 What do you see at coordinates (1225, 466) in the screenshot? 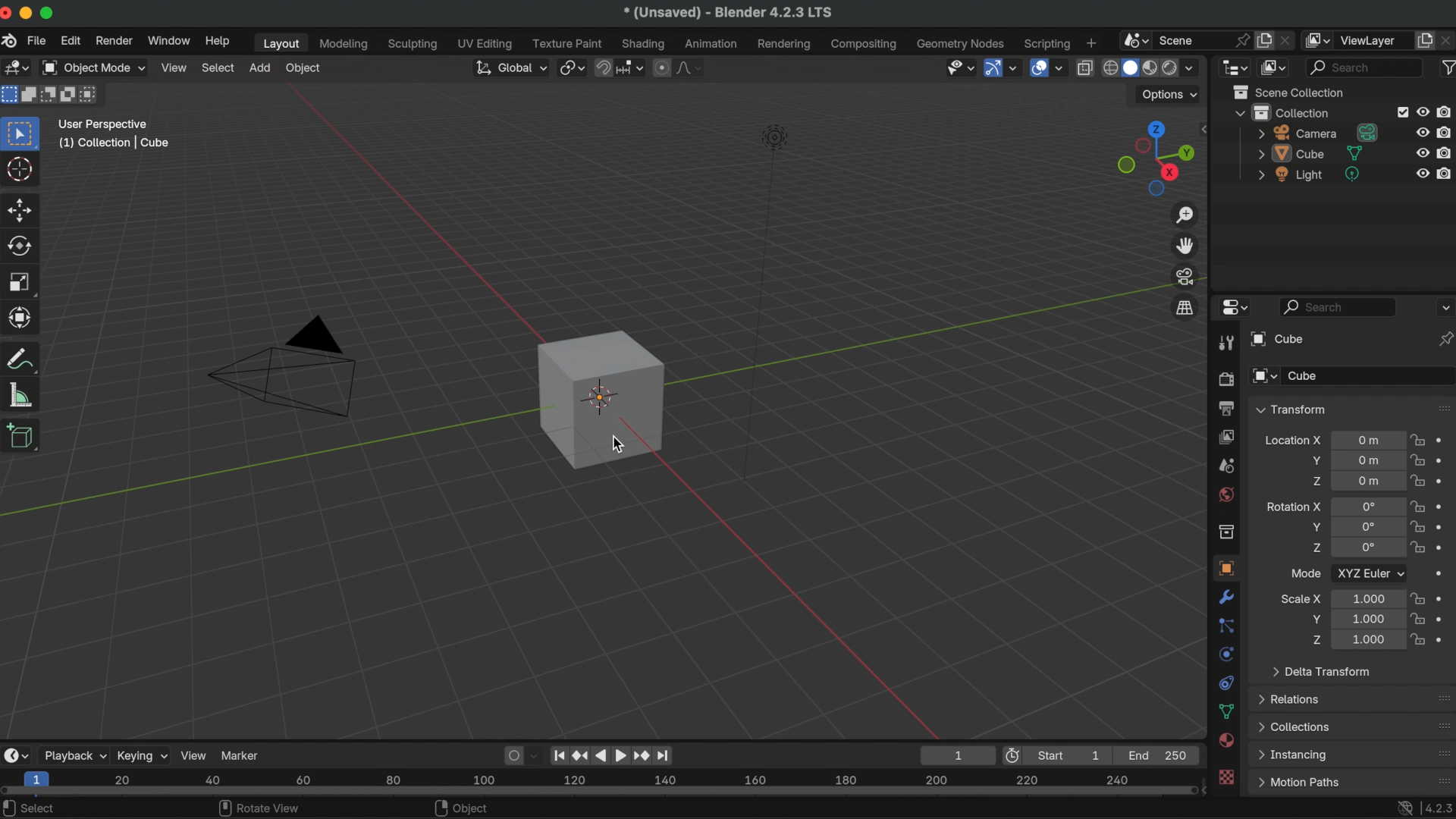
I see `scene` at bounding box center [1225, 466].